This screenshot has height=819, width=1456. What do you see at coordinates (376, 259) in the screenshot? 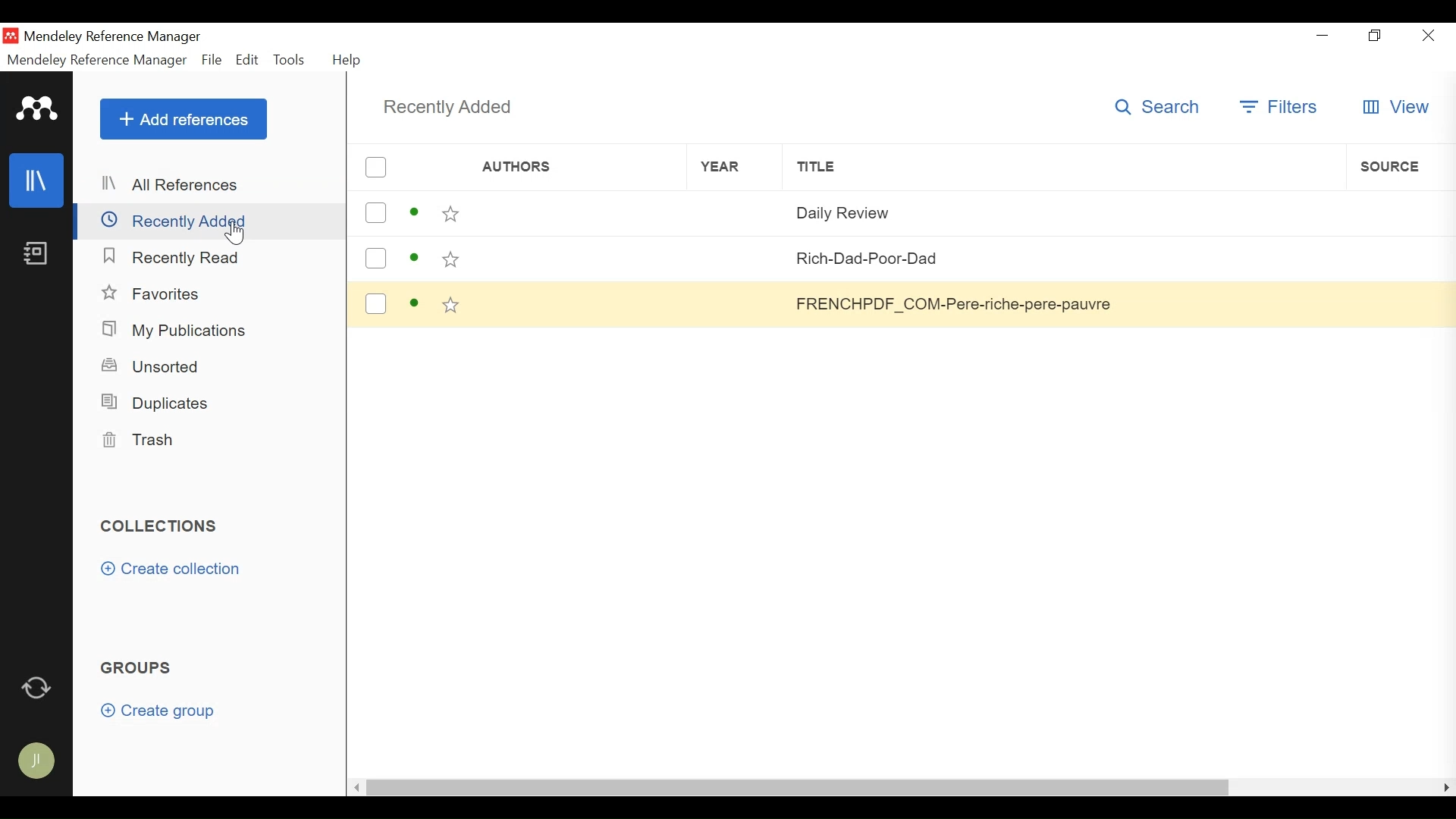
I see `(un)select ` at bounding box center [376, 259].